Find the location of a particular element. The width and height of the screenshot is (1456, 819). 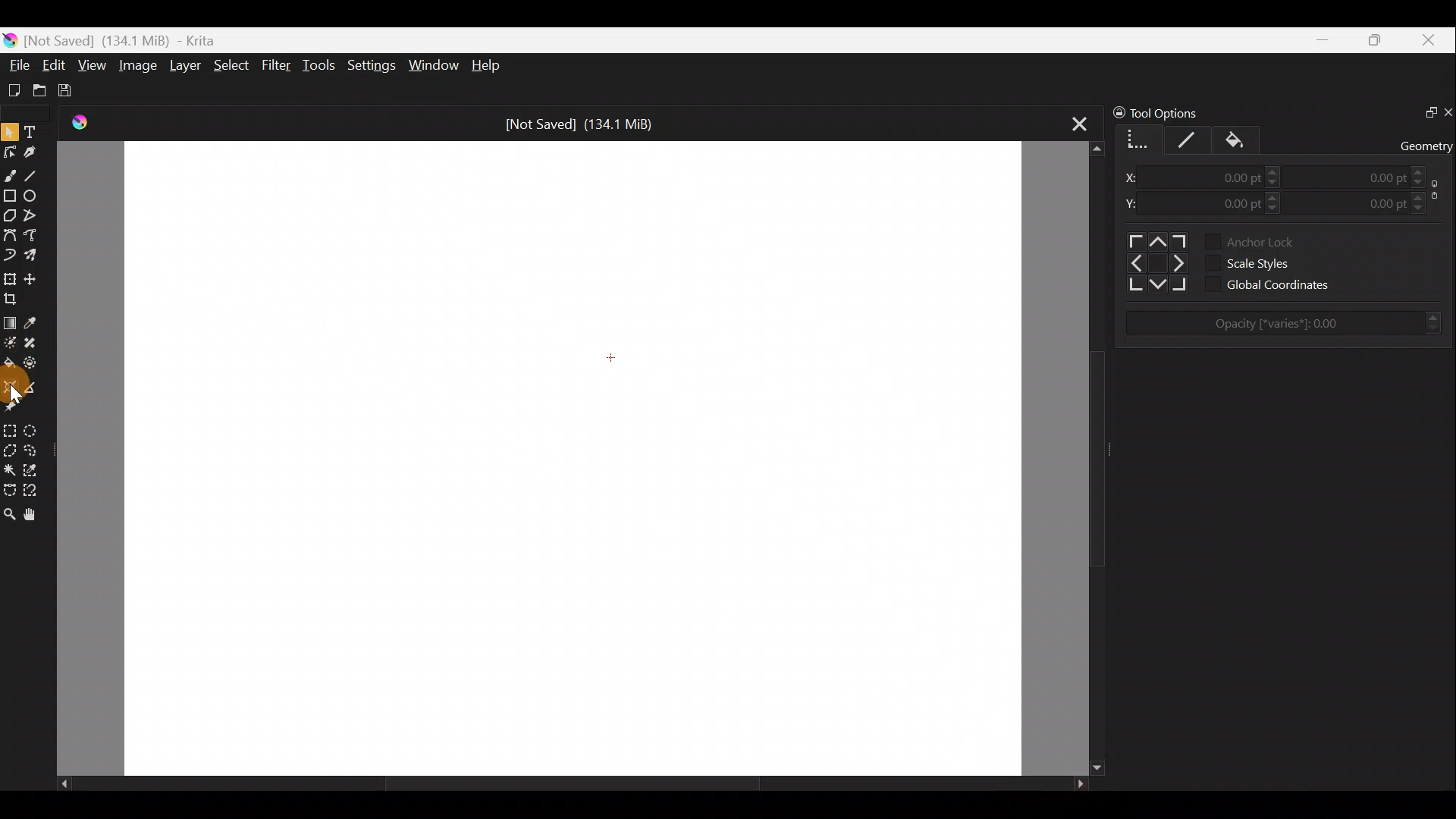

0.00pt is located at coordinates (1225, 202).